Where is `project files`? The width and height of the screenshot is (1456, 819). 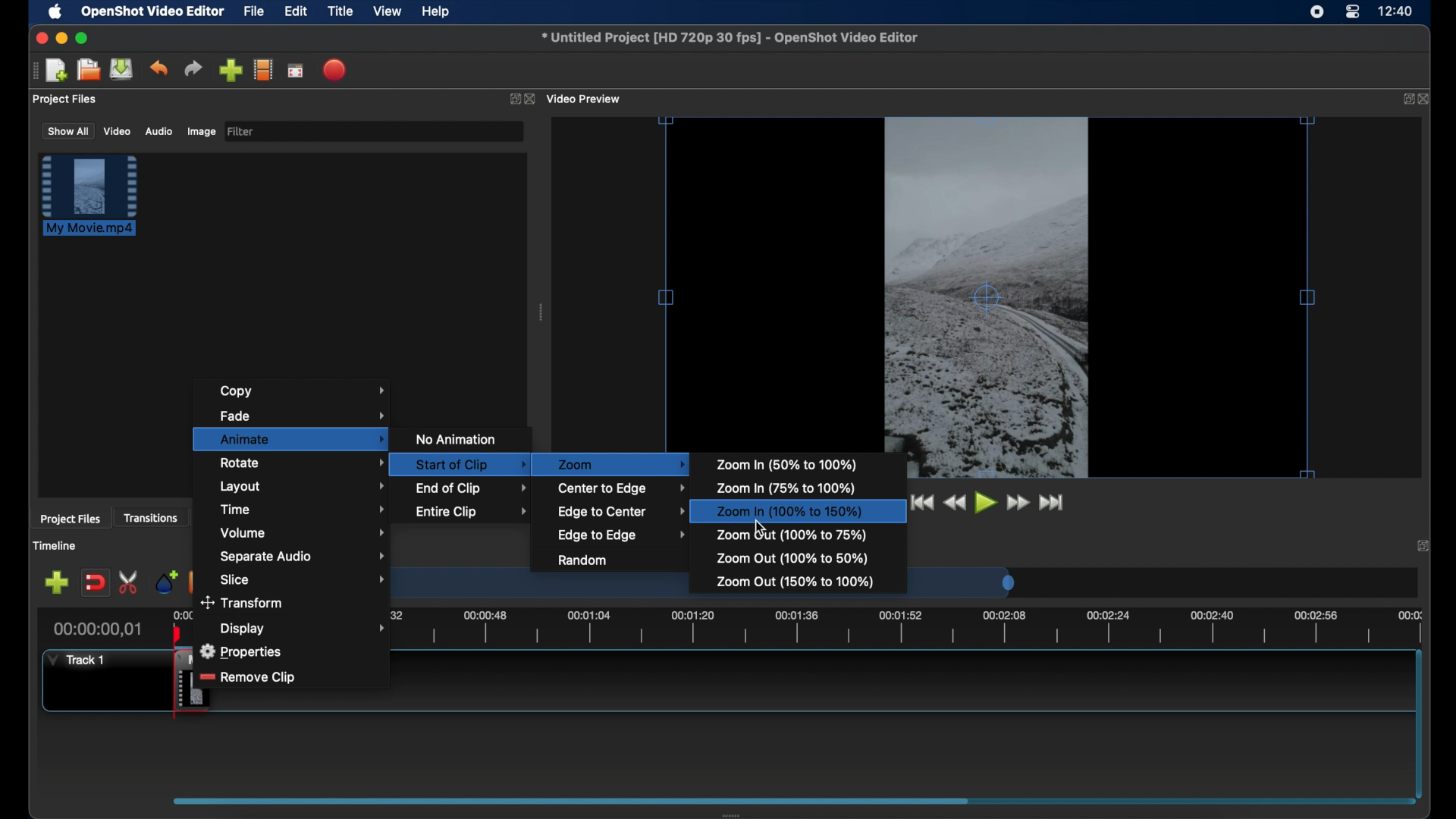 project files is located at coordinates (71, 519).